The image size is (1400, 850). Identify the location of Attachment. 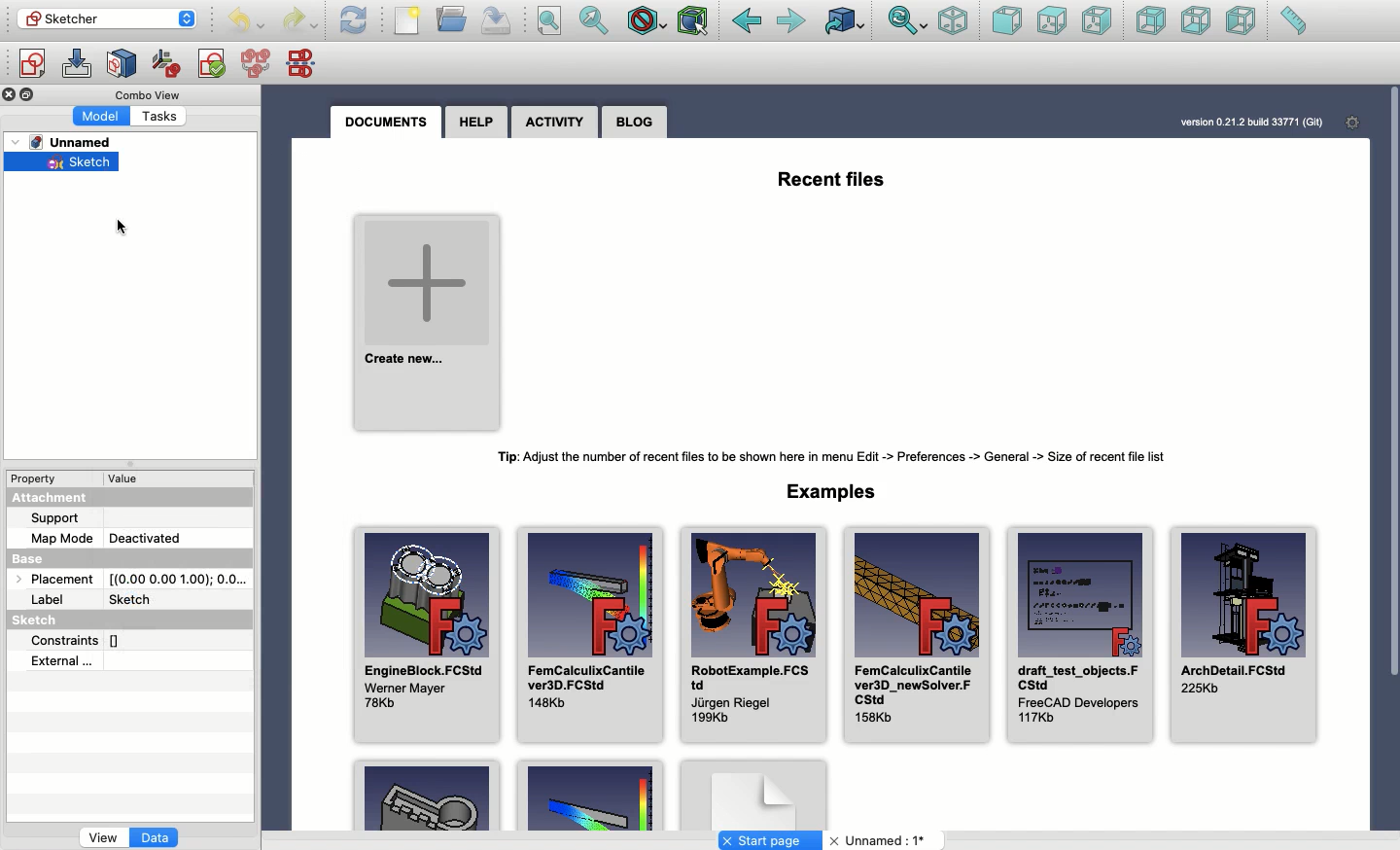
(54, 499).